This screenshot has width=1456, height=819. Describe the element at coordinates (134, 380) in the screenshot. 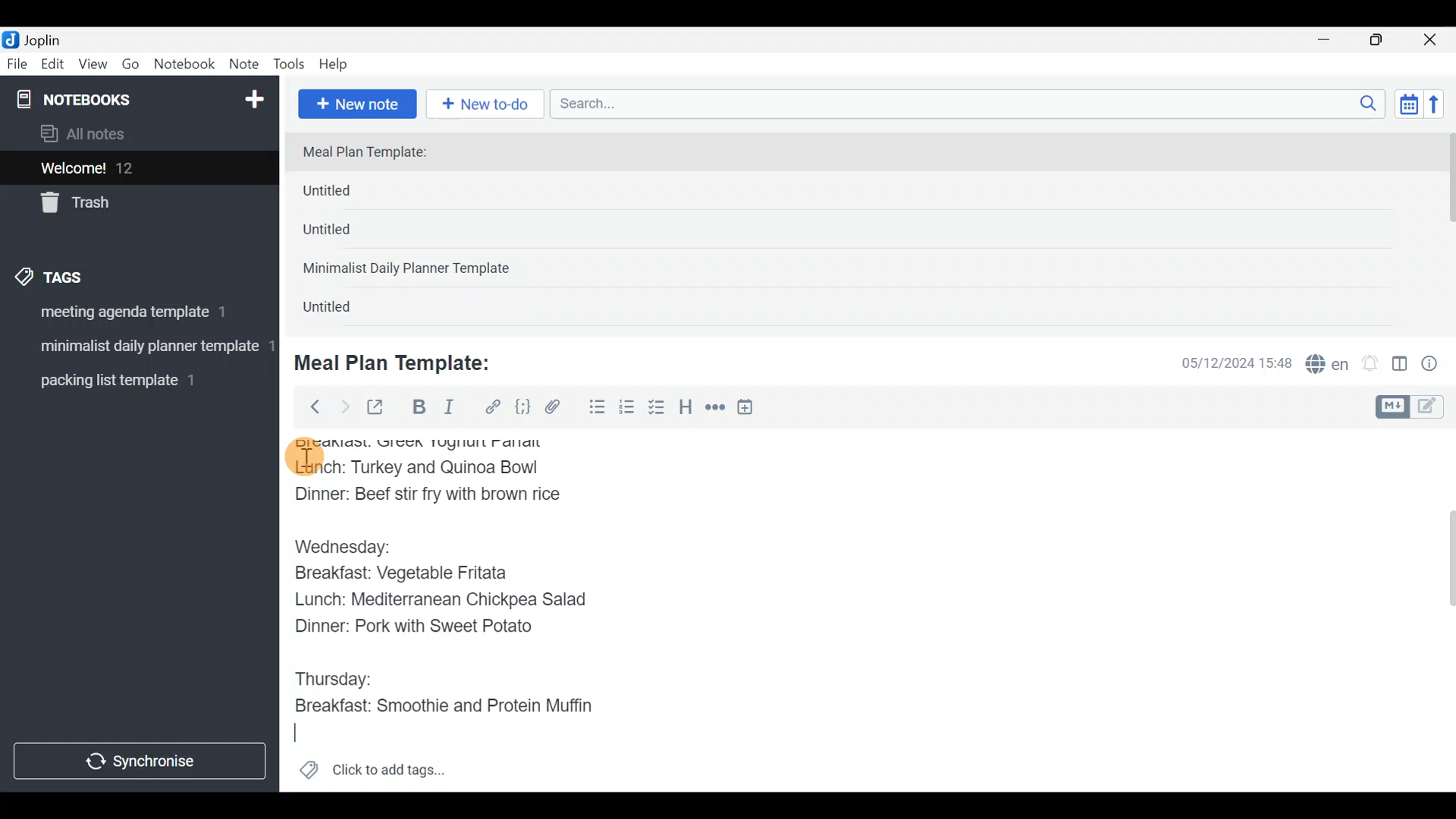

I see `Tag 3` at that location.